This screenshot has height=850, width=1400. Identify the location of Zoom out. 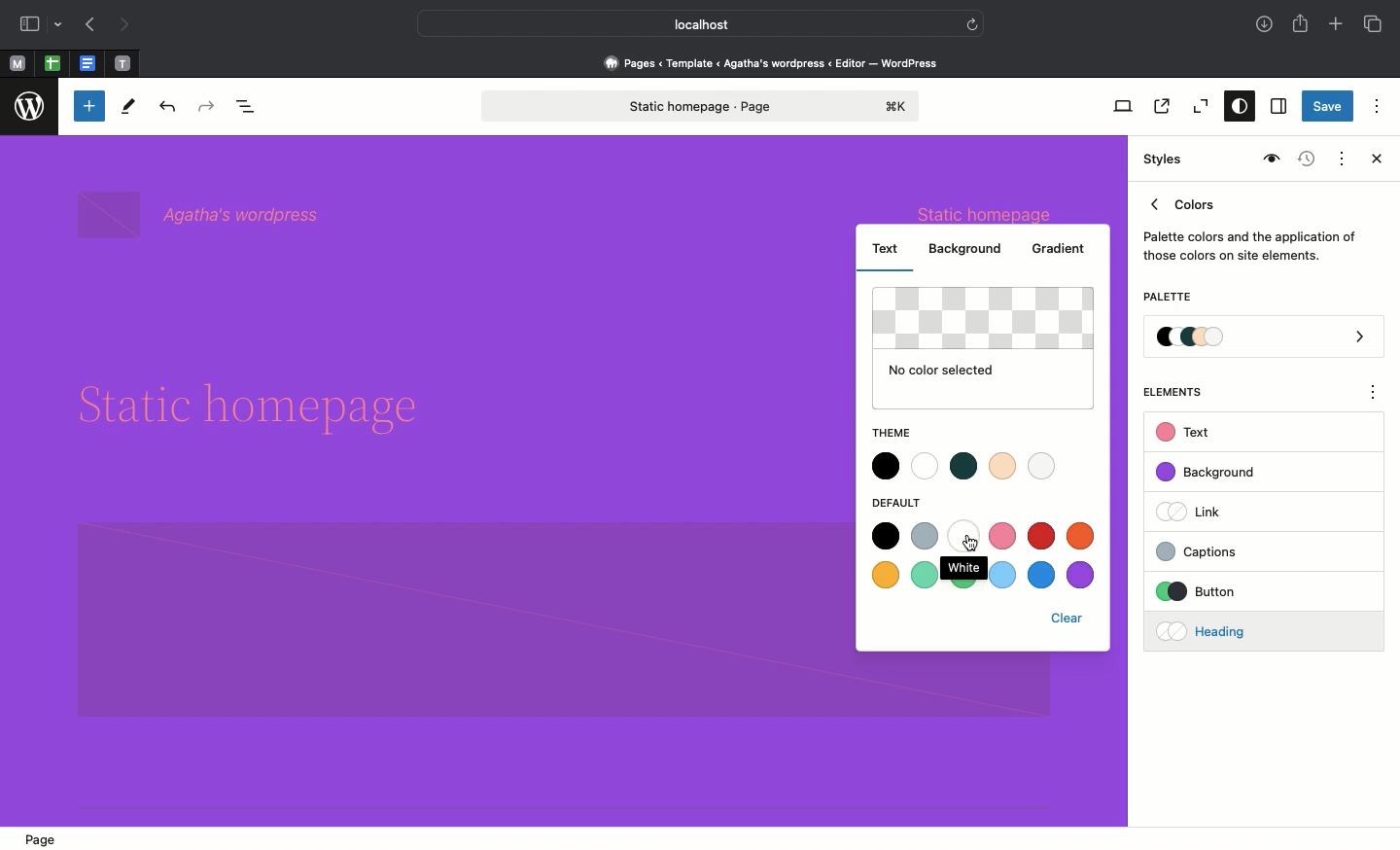
(1198, 107).